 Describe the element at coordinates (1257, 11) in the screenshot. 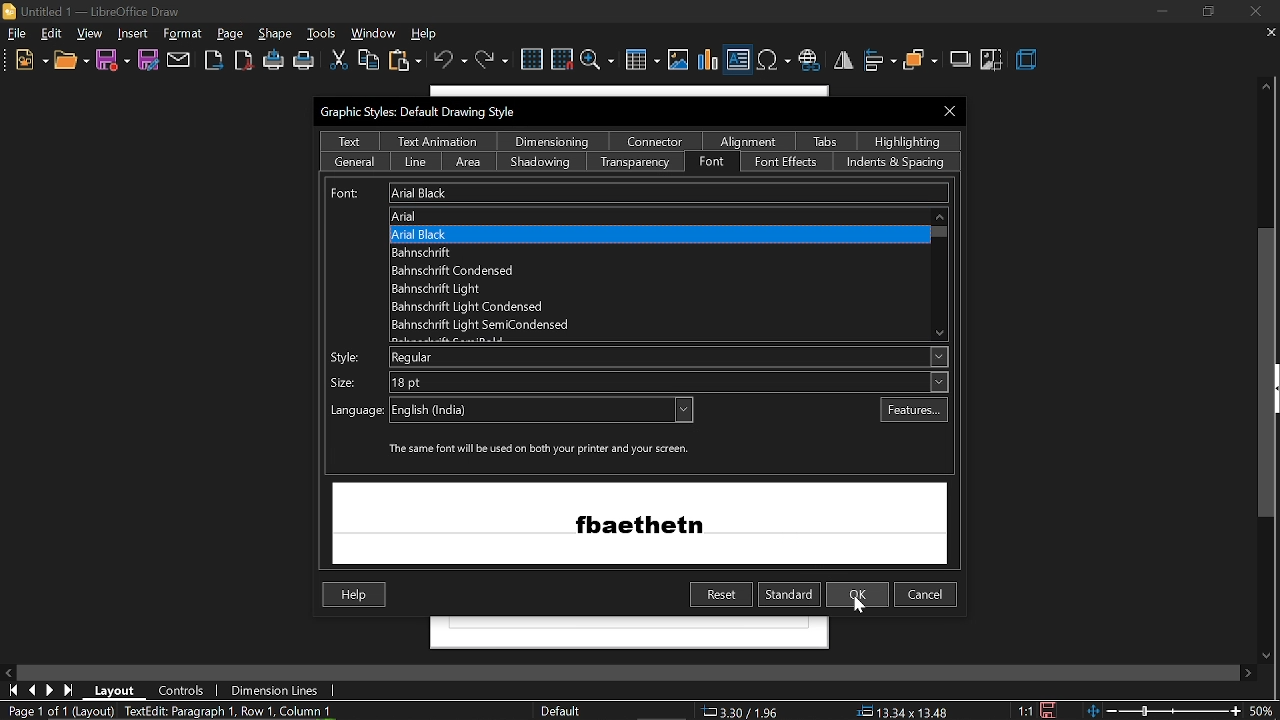

I see `close` at that location.